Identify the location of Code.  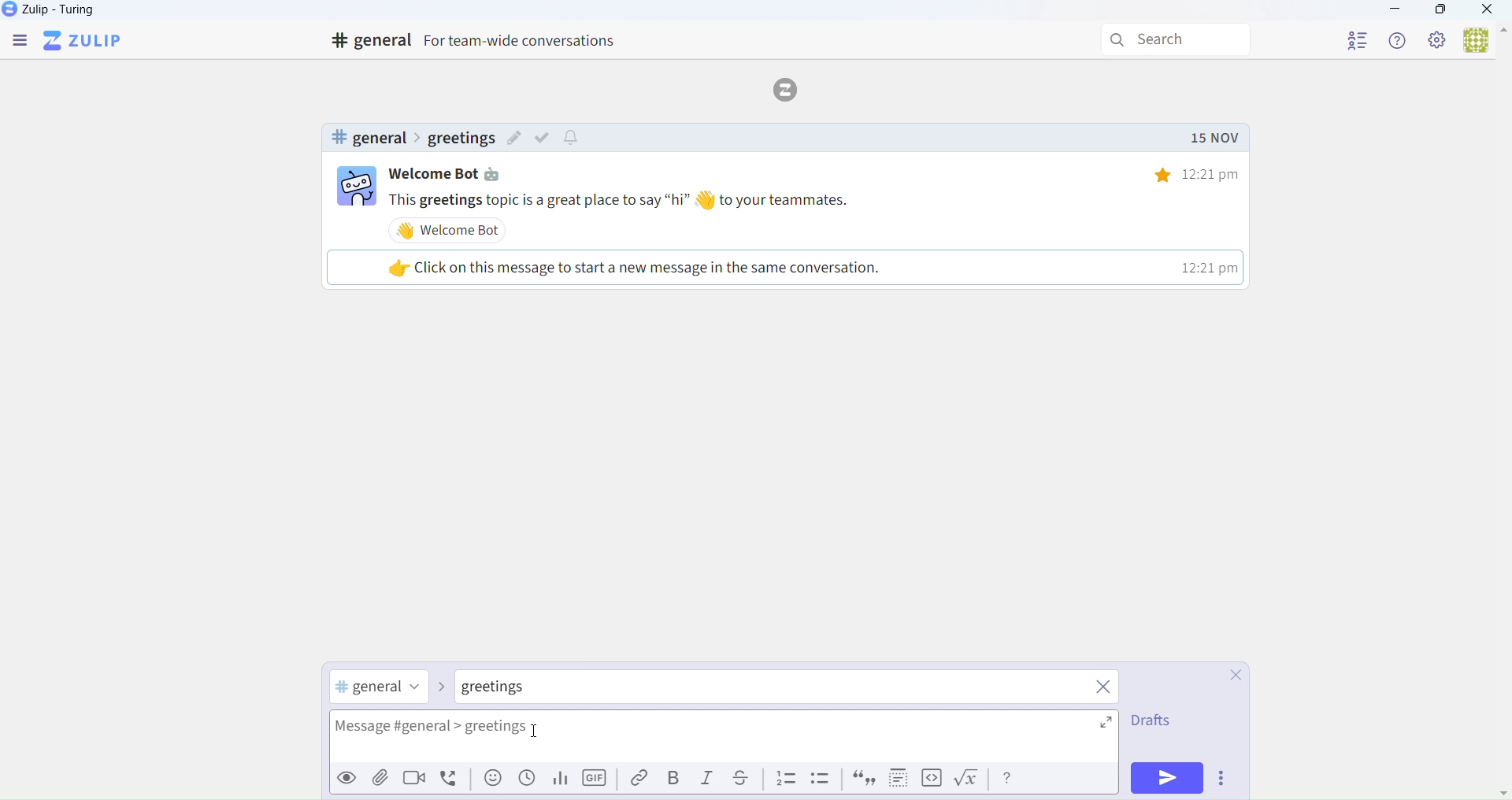
(930, 779).